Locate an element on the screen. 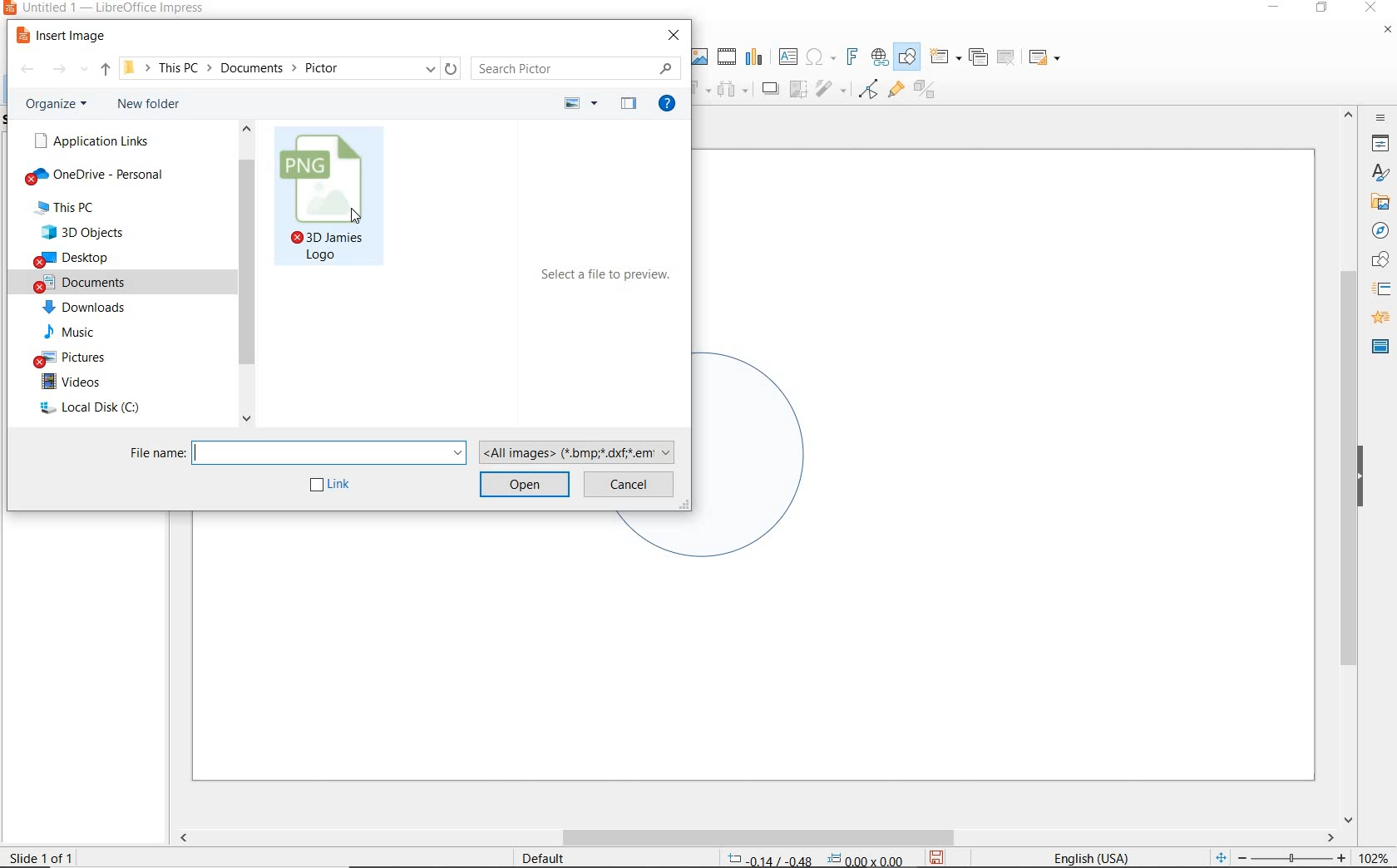 The image size is (1397, 868). scrollbar is located at coordinates (246, 277).